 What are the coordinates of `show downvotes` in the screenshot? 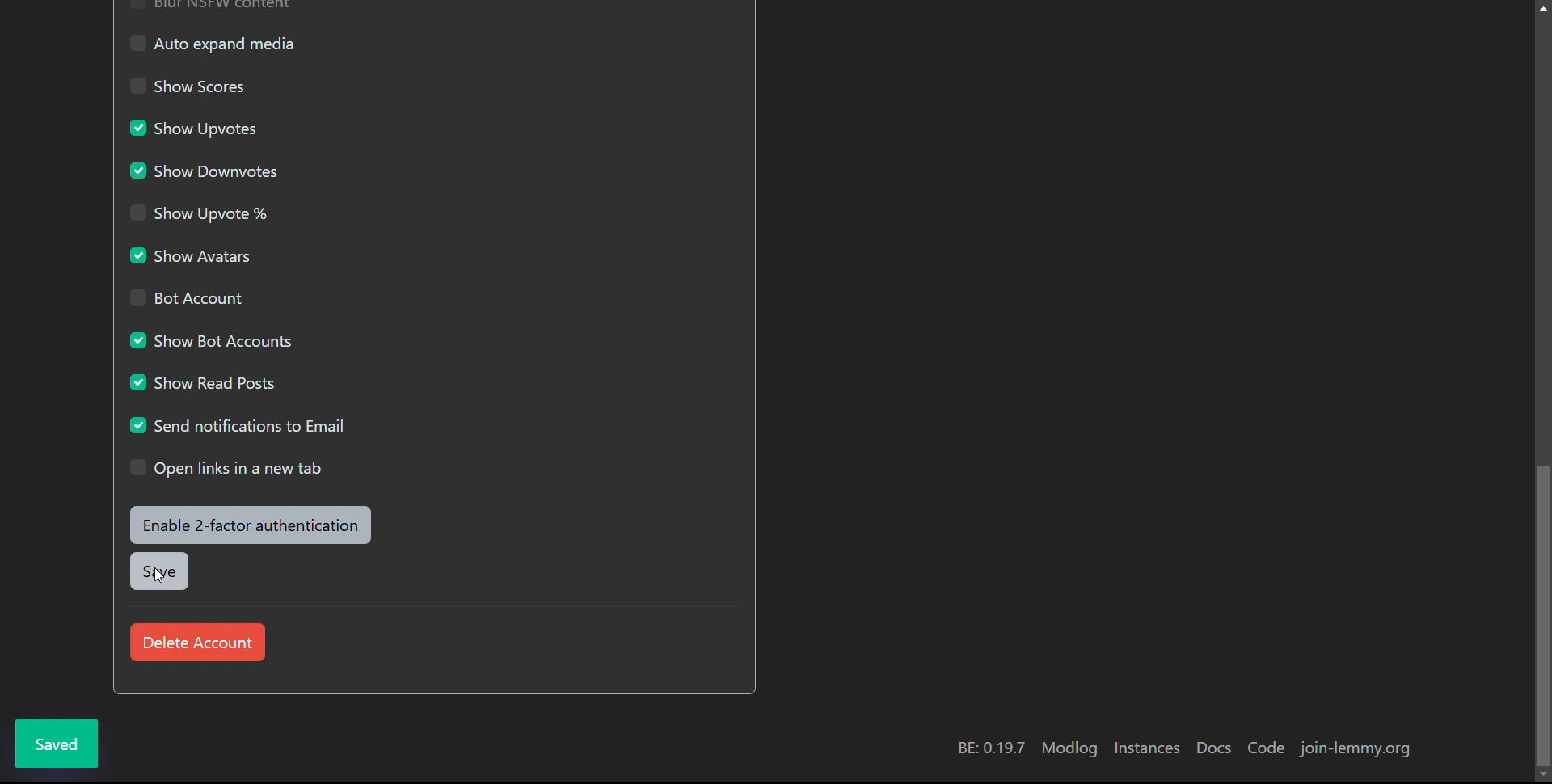 It's located at (204, 170).